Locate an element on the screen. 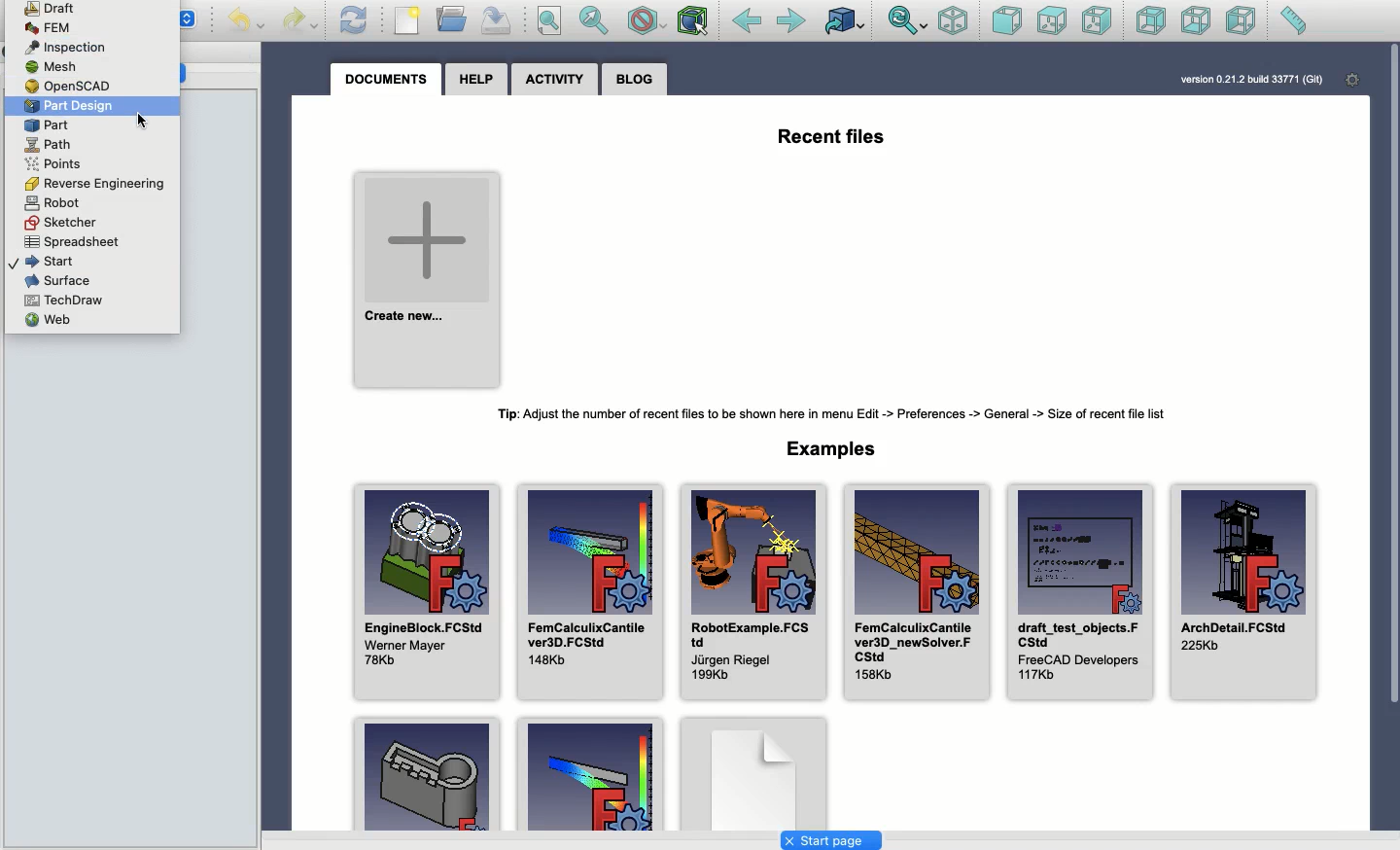  Help is located at coordinates (476, 77).